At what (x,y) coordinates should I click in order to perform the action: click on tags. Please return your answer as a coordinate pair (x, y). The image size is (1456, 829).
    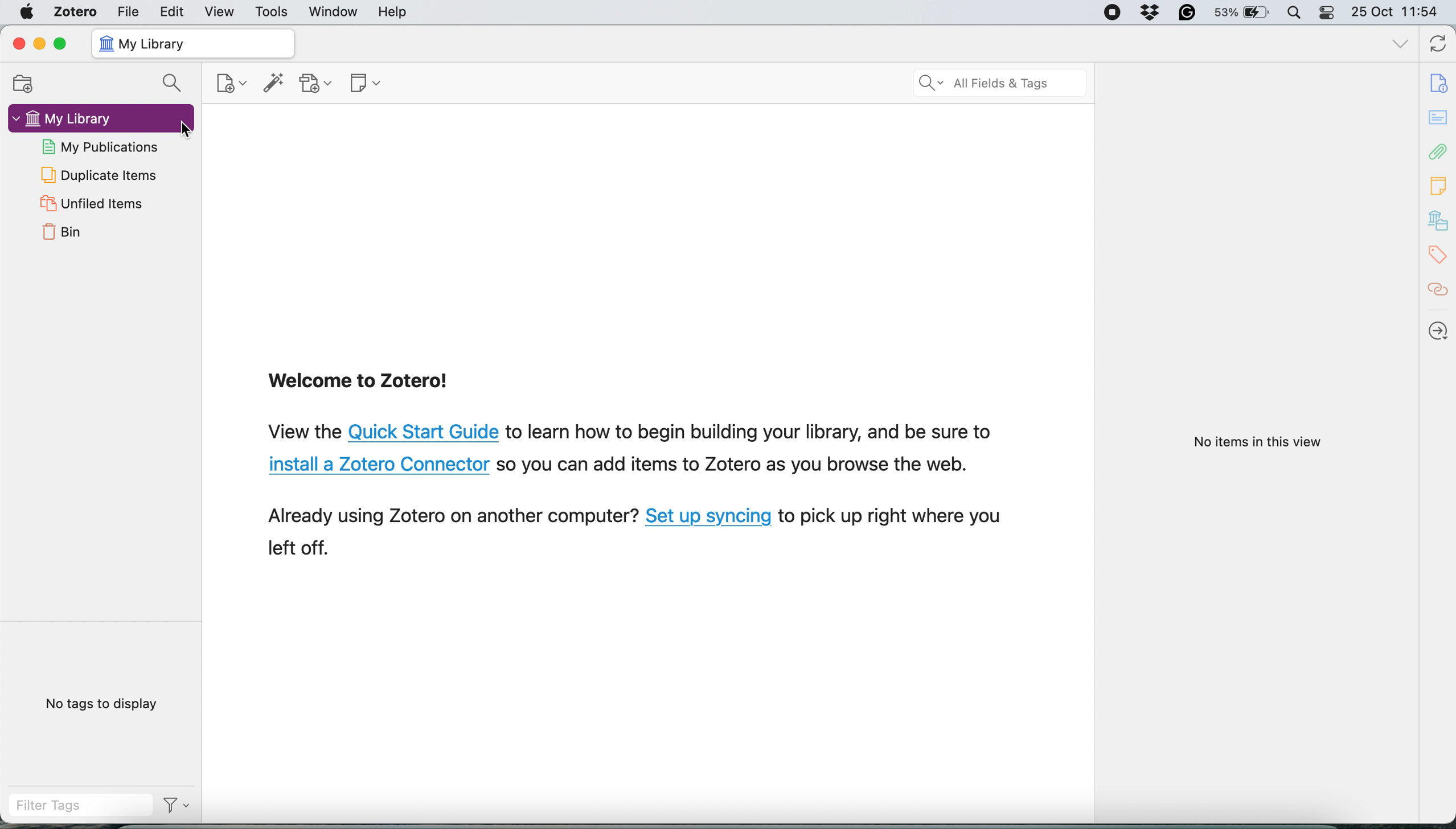
    Looking at the image, I should click on (1439, 256).